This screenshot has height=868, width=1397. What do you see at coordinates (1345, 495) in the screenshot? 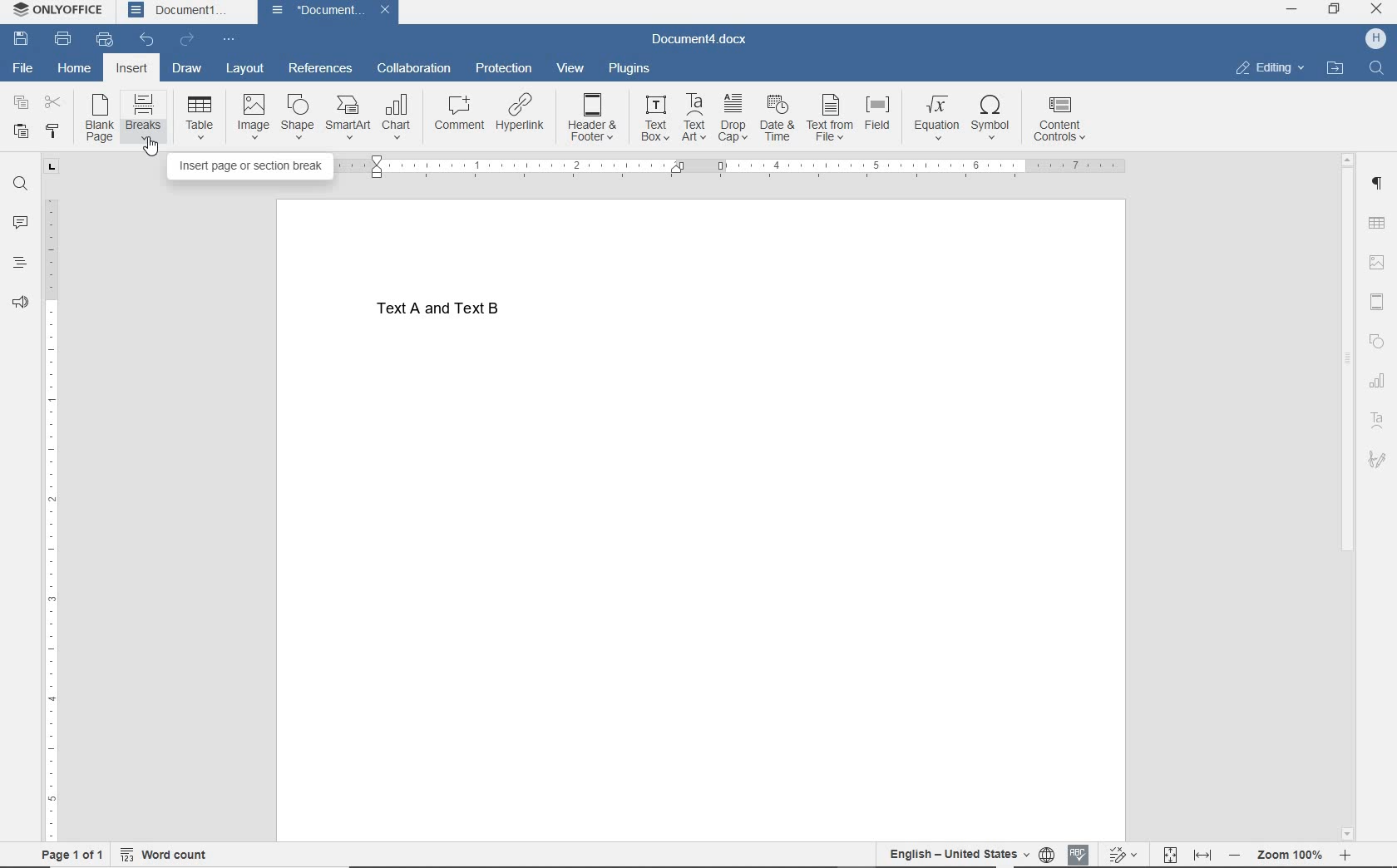
I see `SCROLLBAR` at bounding box center [1345, 495].